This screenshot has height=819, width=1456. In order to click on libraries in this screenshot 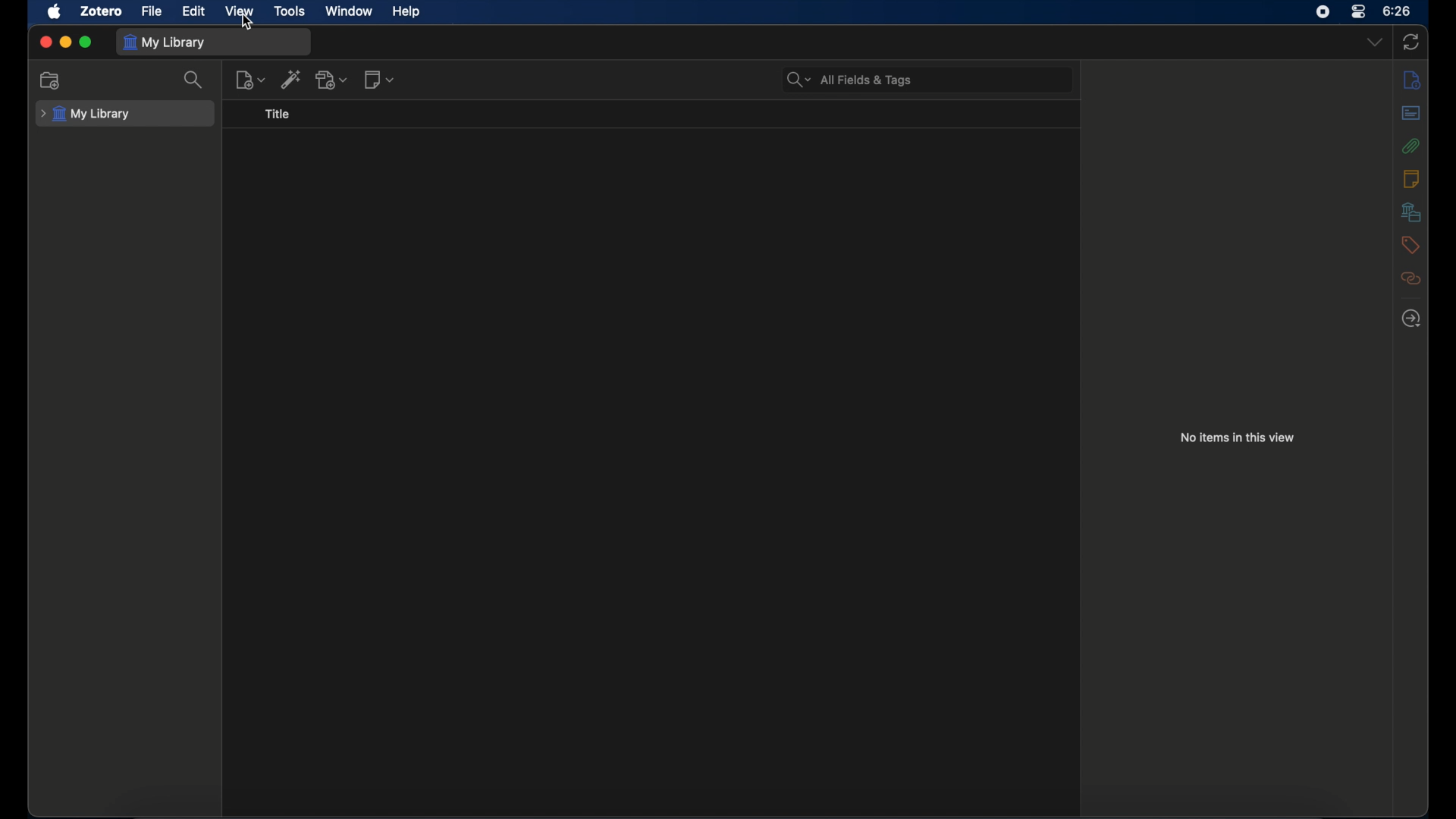, I will do `click(1410, 212)`.